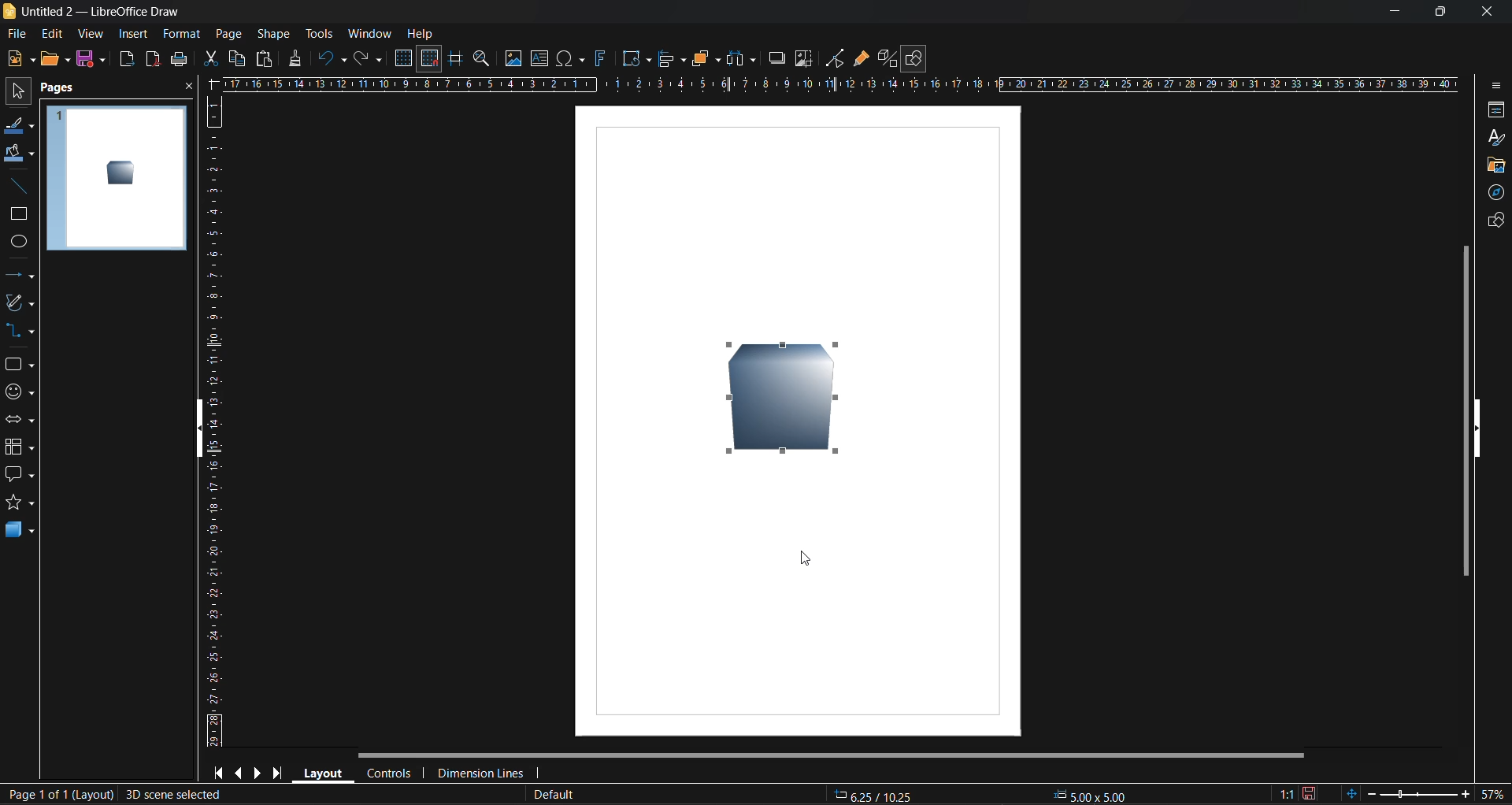  Describe the element at coordinates (259, 773) in the screenshot. I see `next` at that location.